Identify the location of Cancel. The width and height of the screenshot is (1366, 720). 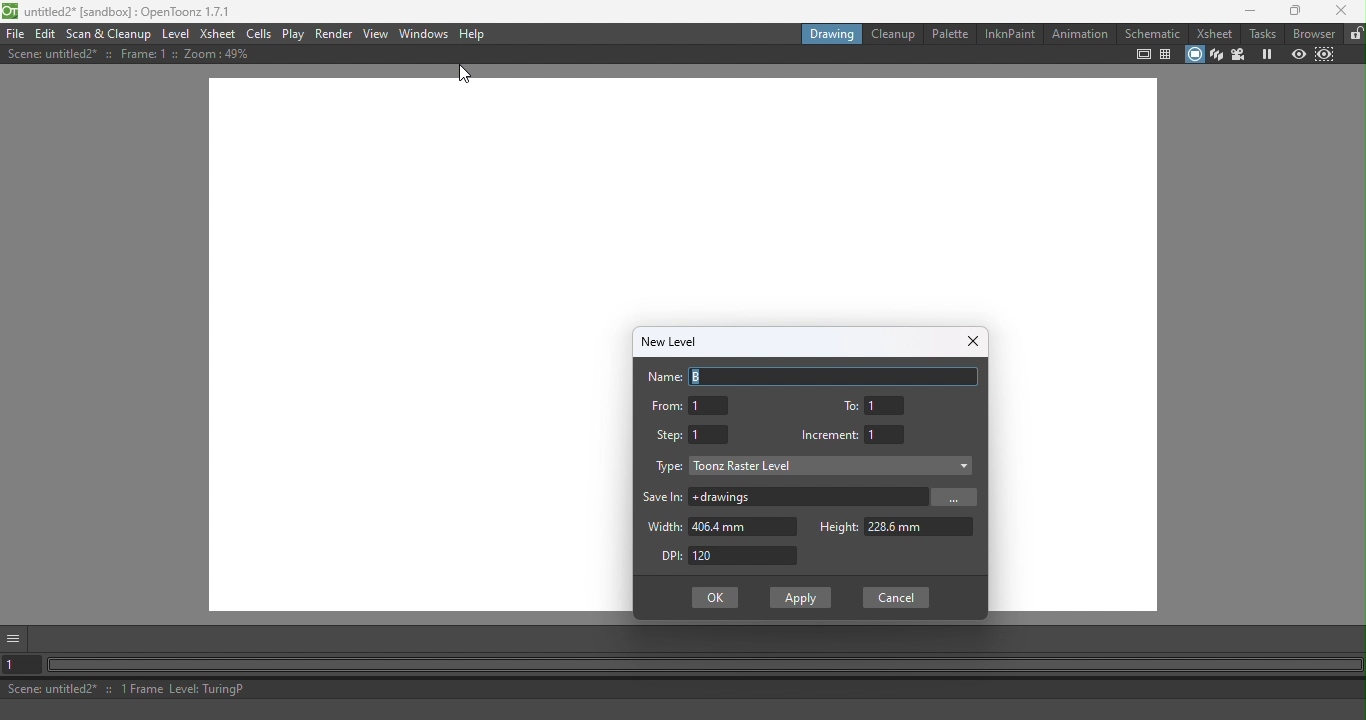
(896, 597).